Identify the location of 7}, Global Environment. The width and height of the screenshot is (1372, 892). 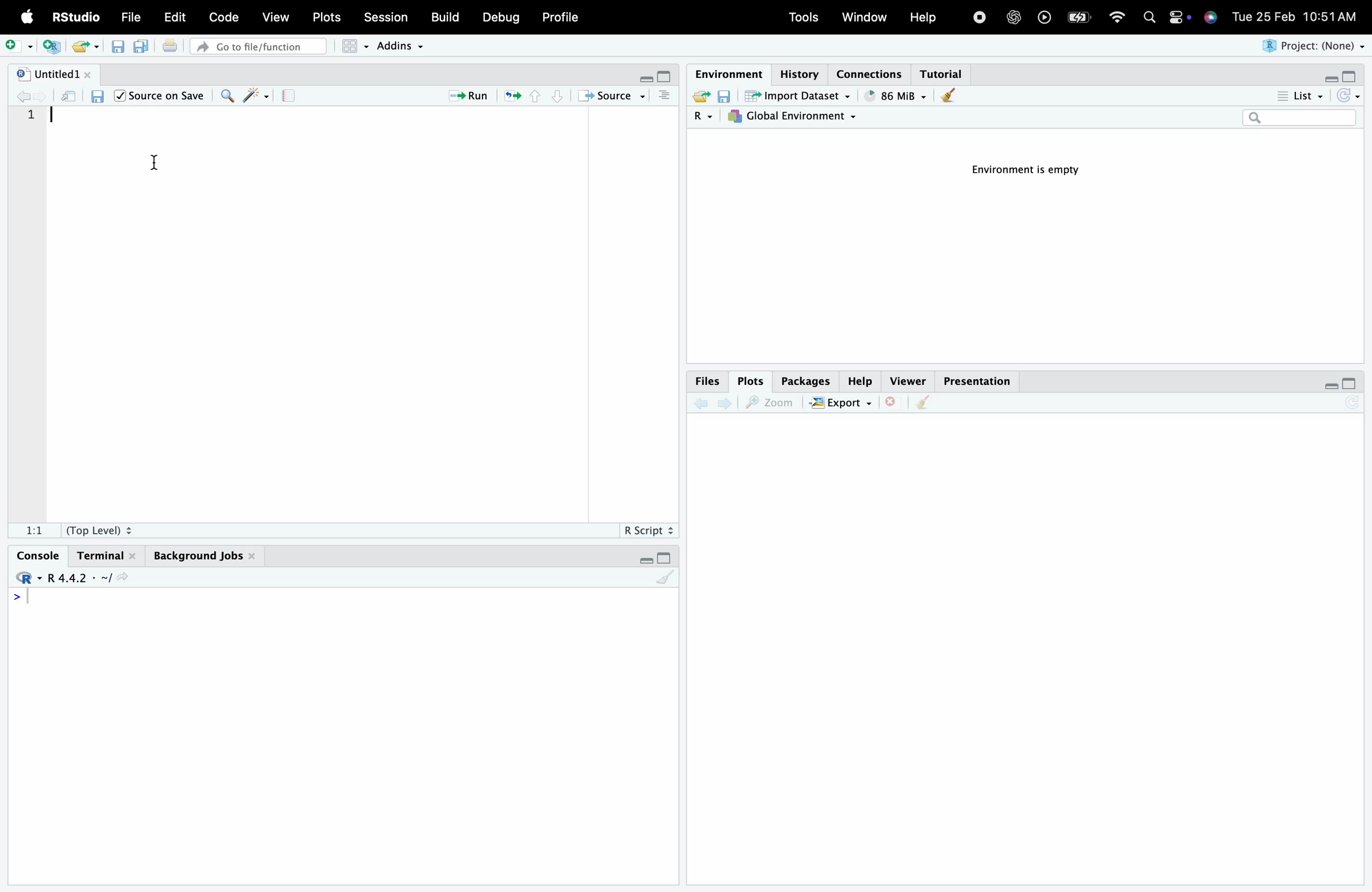
(796, 116).